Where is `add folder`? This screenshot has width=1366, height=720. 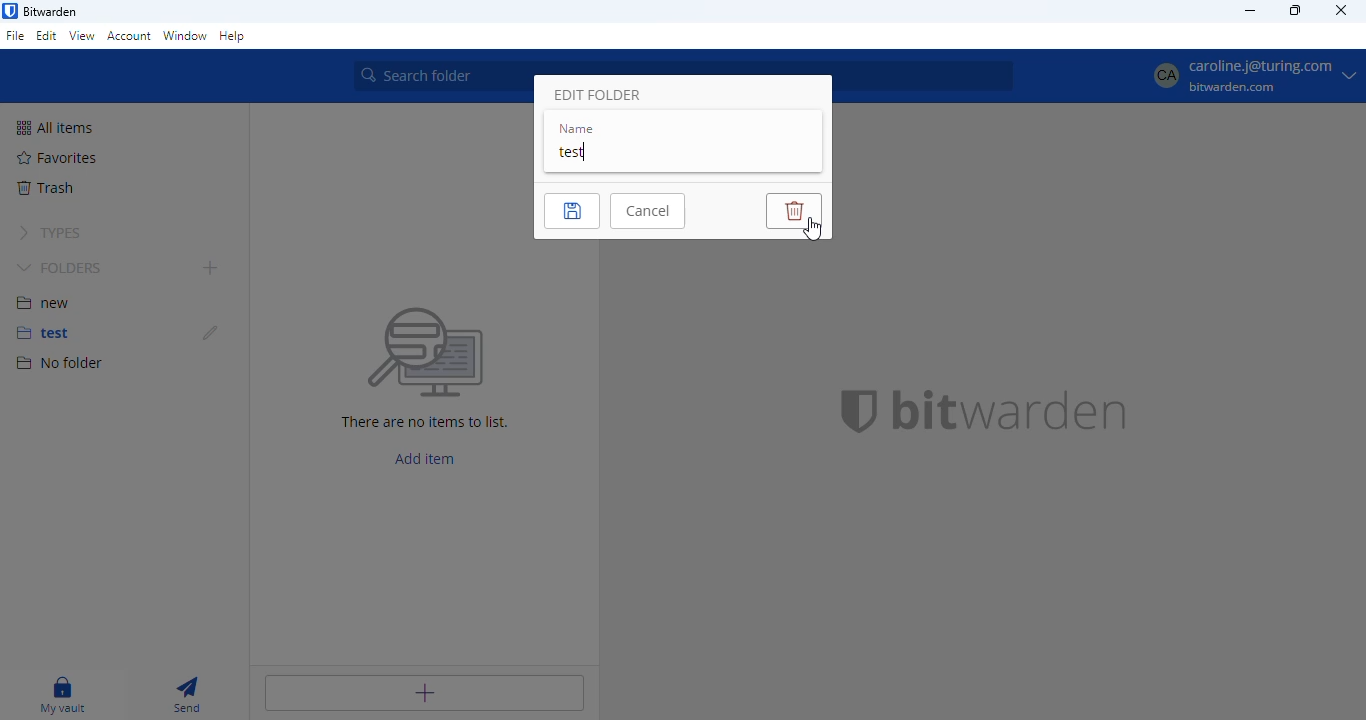 add folder is located at coordinates (210, 268).